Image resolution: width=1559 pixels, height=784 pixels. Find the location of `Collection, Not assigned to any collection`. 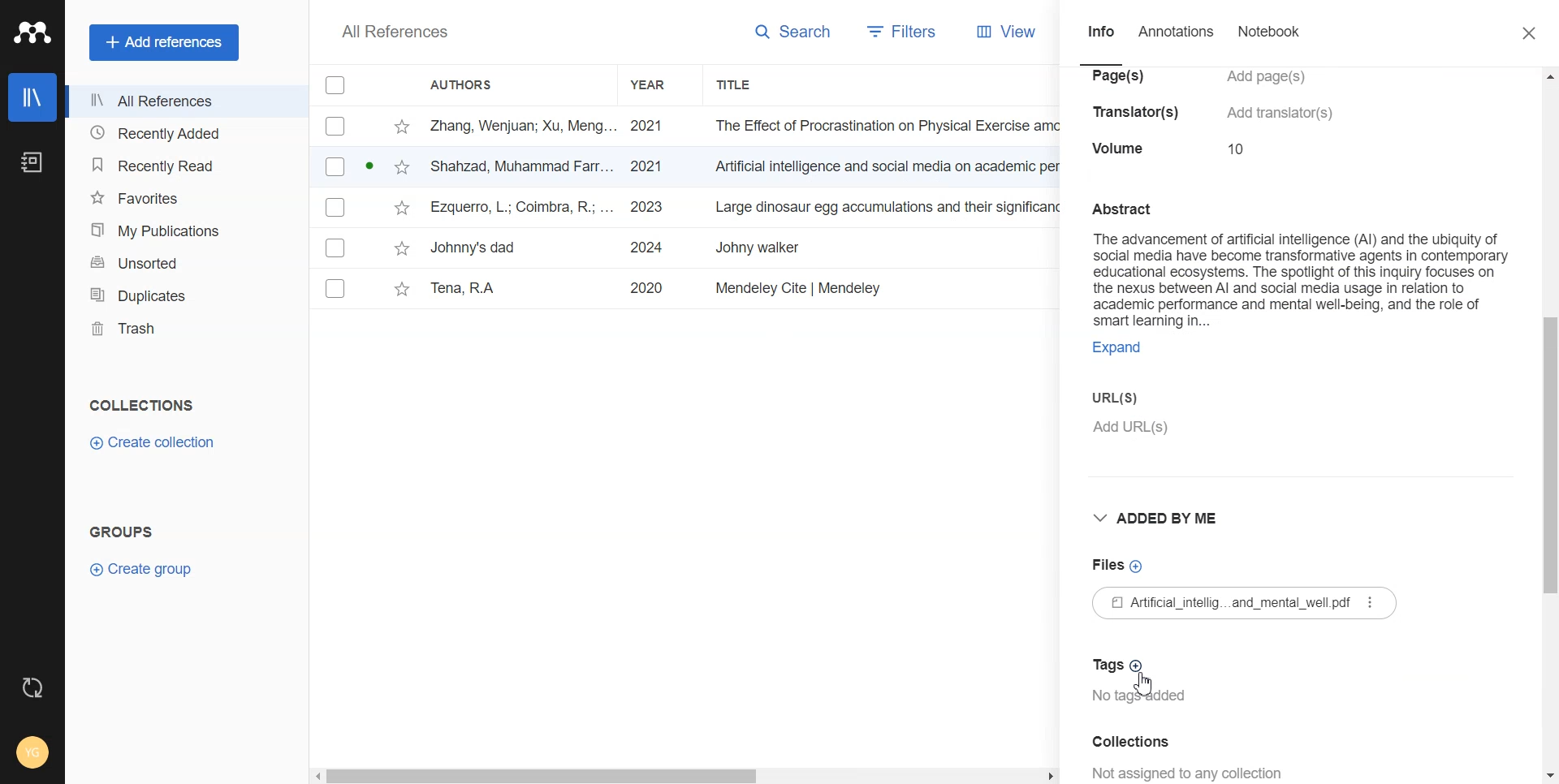

Collection, Not assigned to any collection is located at coordinates (1218, 756).